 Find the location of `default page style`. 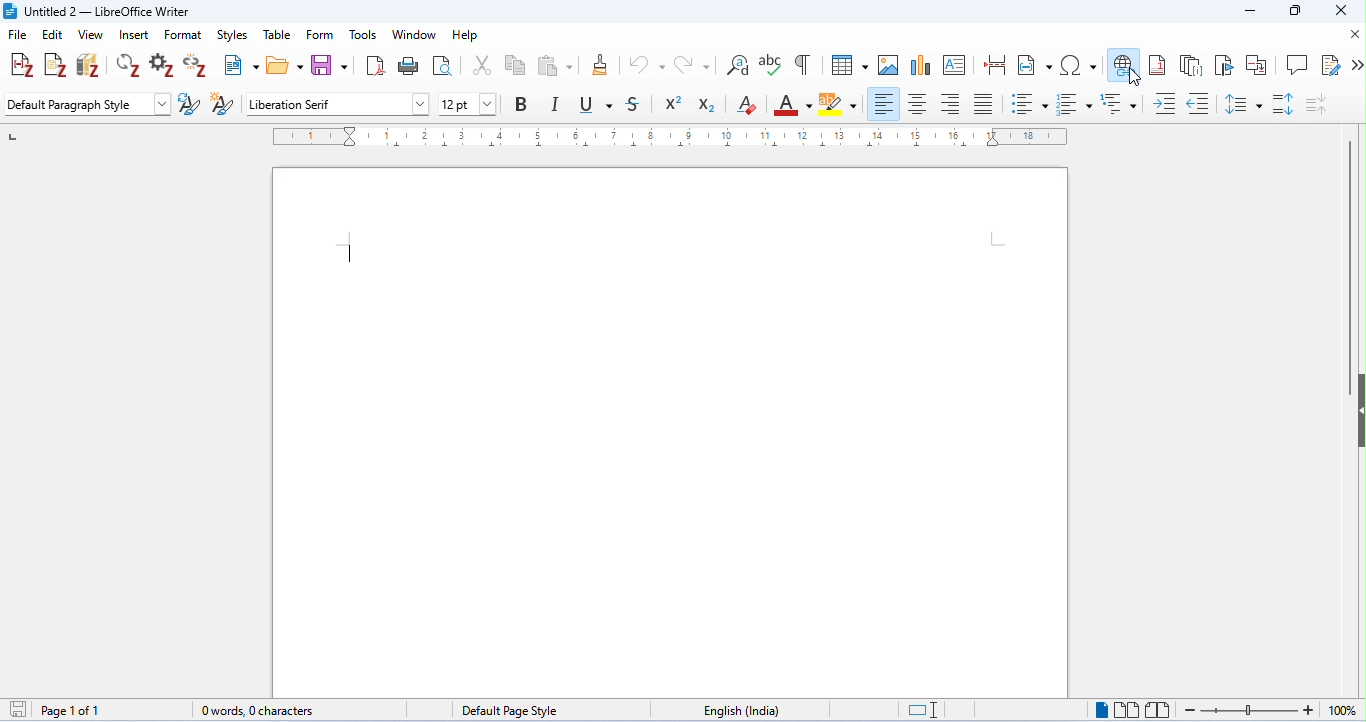

default page style is located at coordinates (511, 711).